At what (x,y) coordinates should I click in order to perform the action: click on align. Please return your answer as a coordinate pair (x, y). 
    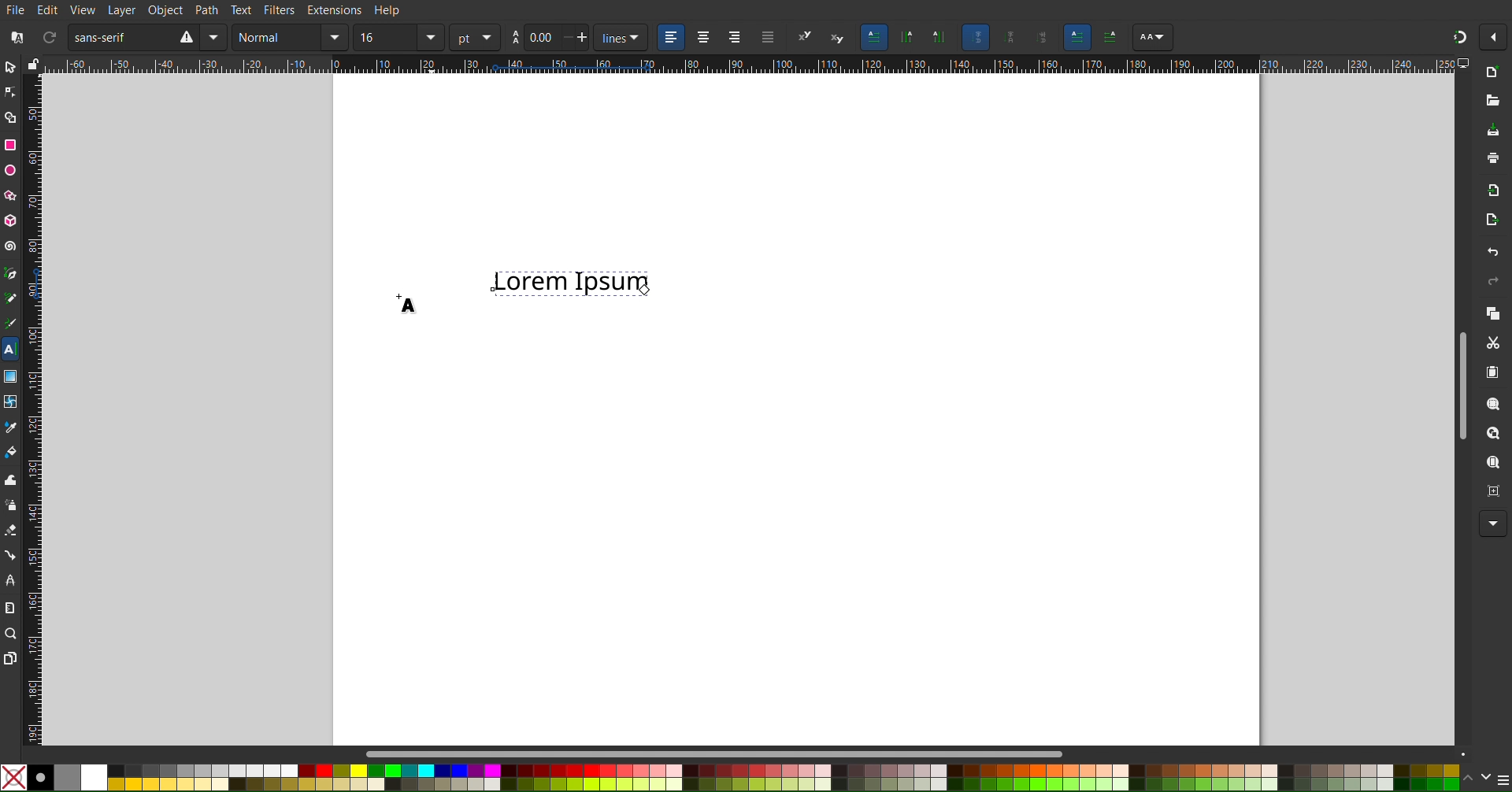
    Looking at the image, I should click on (766, 39).